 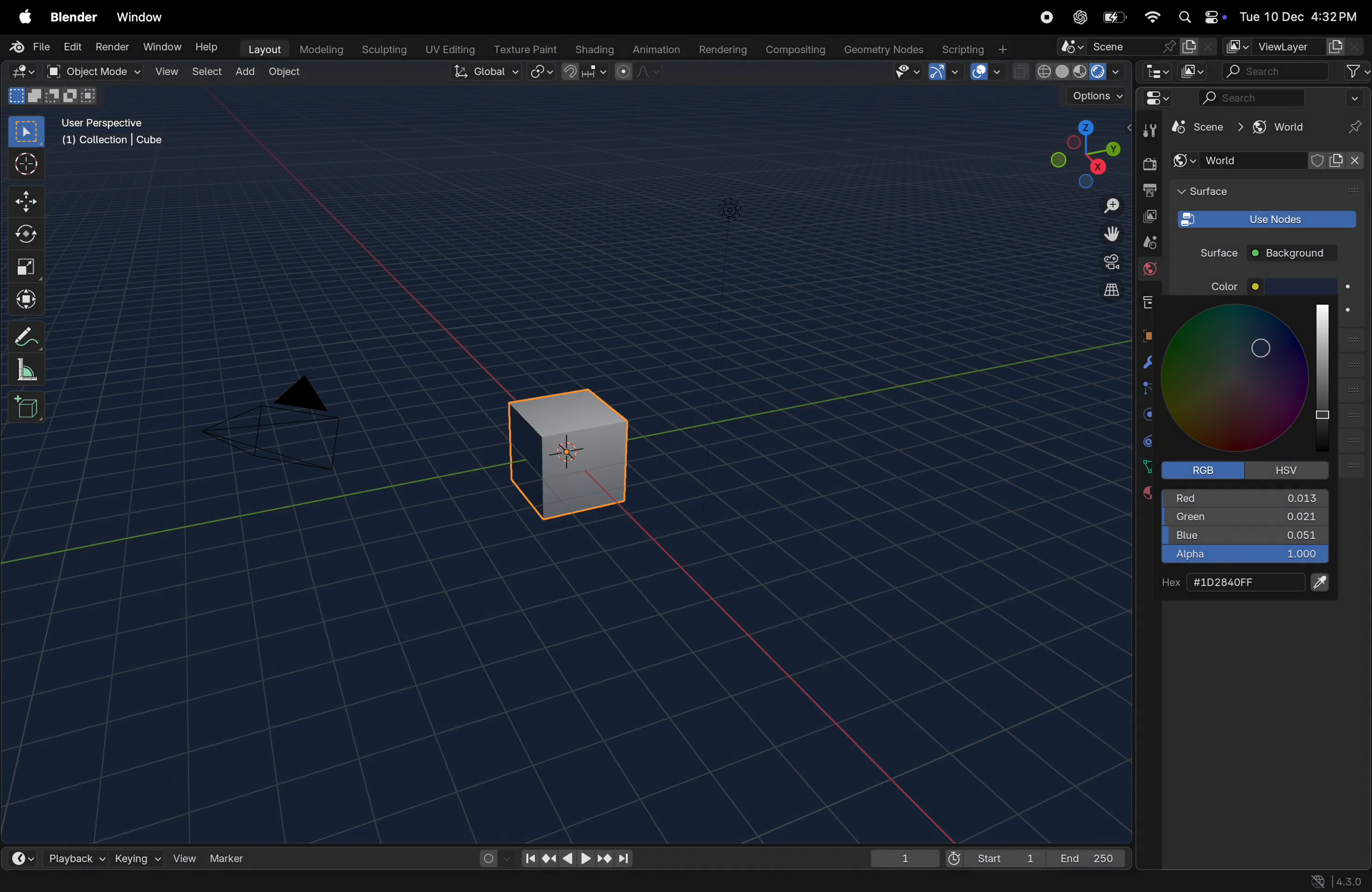 I want to click on physics, so click(x=1147, y=415).